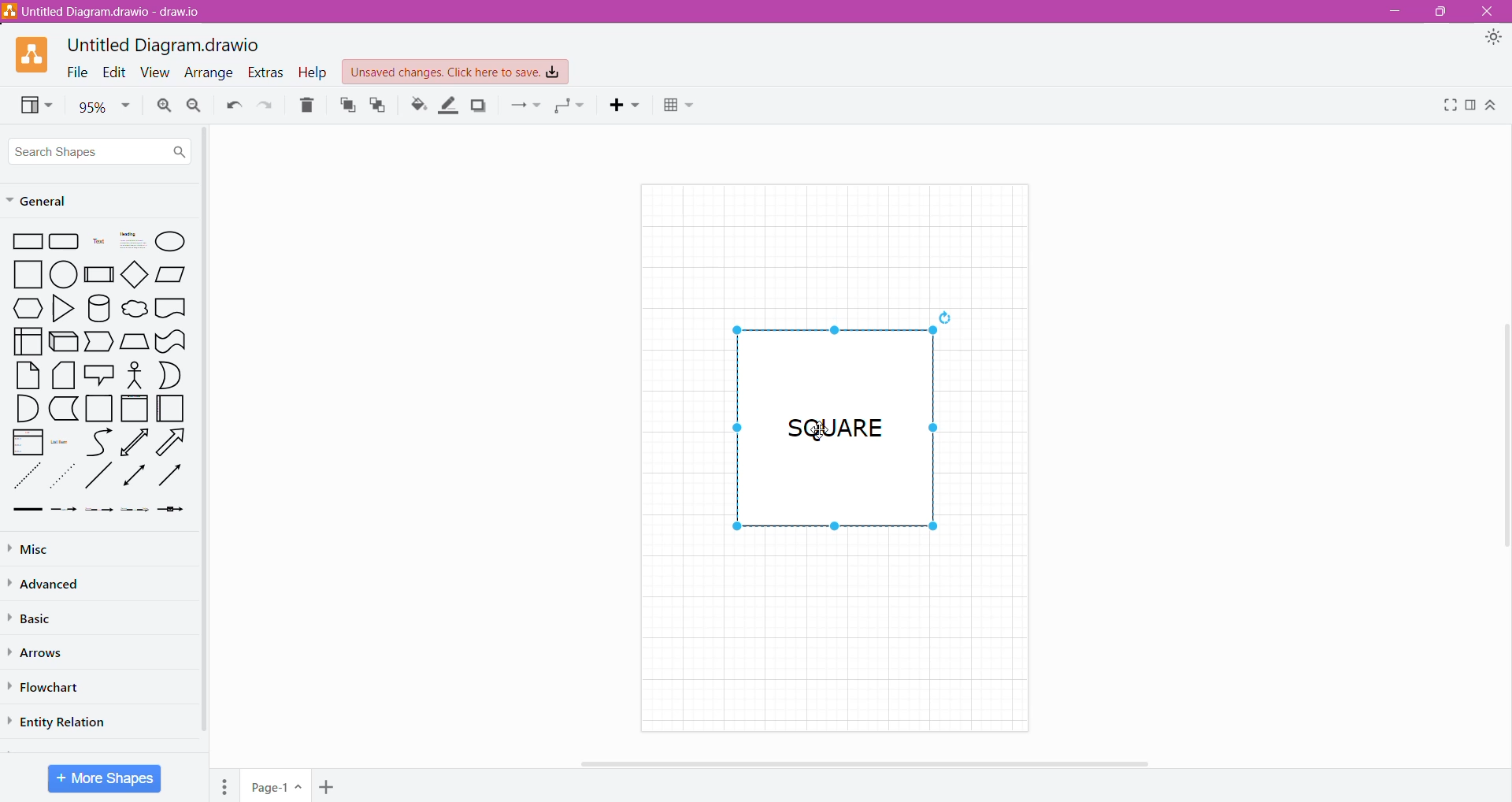  What do you see at coordinates (100, 373) in the screenshot?
I see `Speech Bubble` at bounding box center [100, 373].